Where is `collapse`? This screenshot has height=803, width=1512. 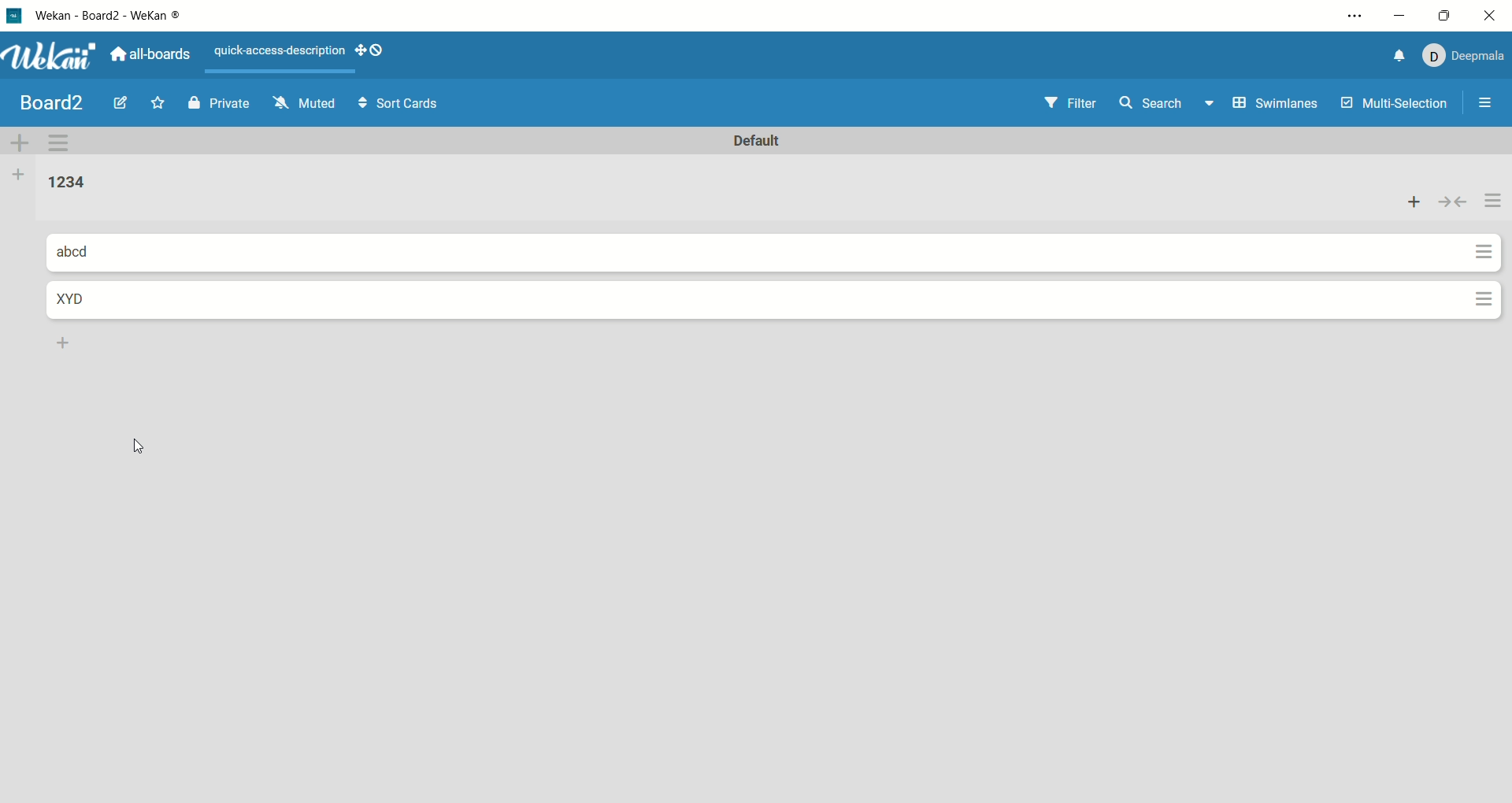 collapse is located at coordinates (1456, 202).